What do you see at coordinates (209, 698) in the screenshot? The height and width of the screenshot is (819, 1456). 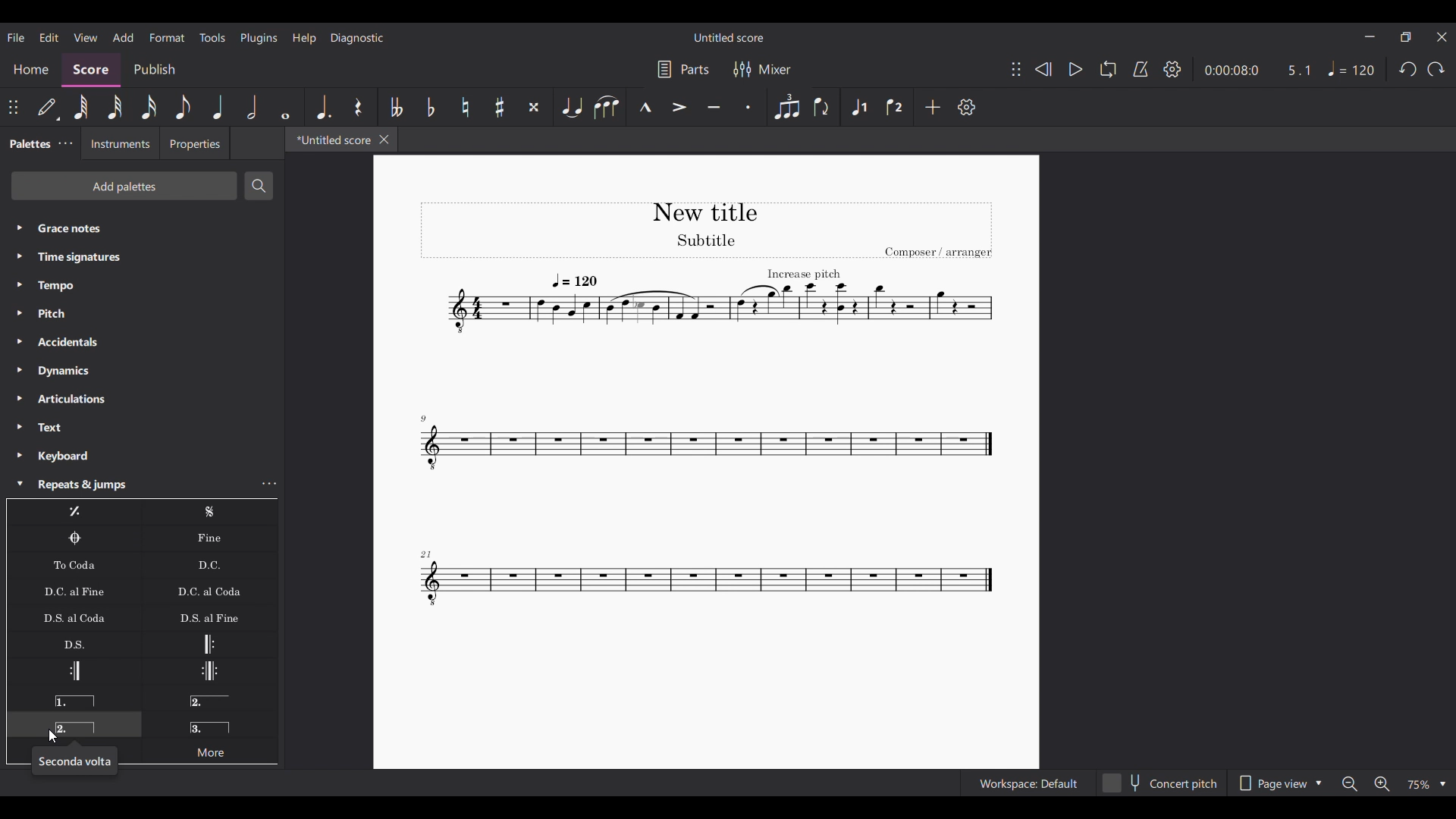 I see `Seconda volta, open` at bounding box center [209, 698].